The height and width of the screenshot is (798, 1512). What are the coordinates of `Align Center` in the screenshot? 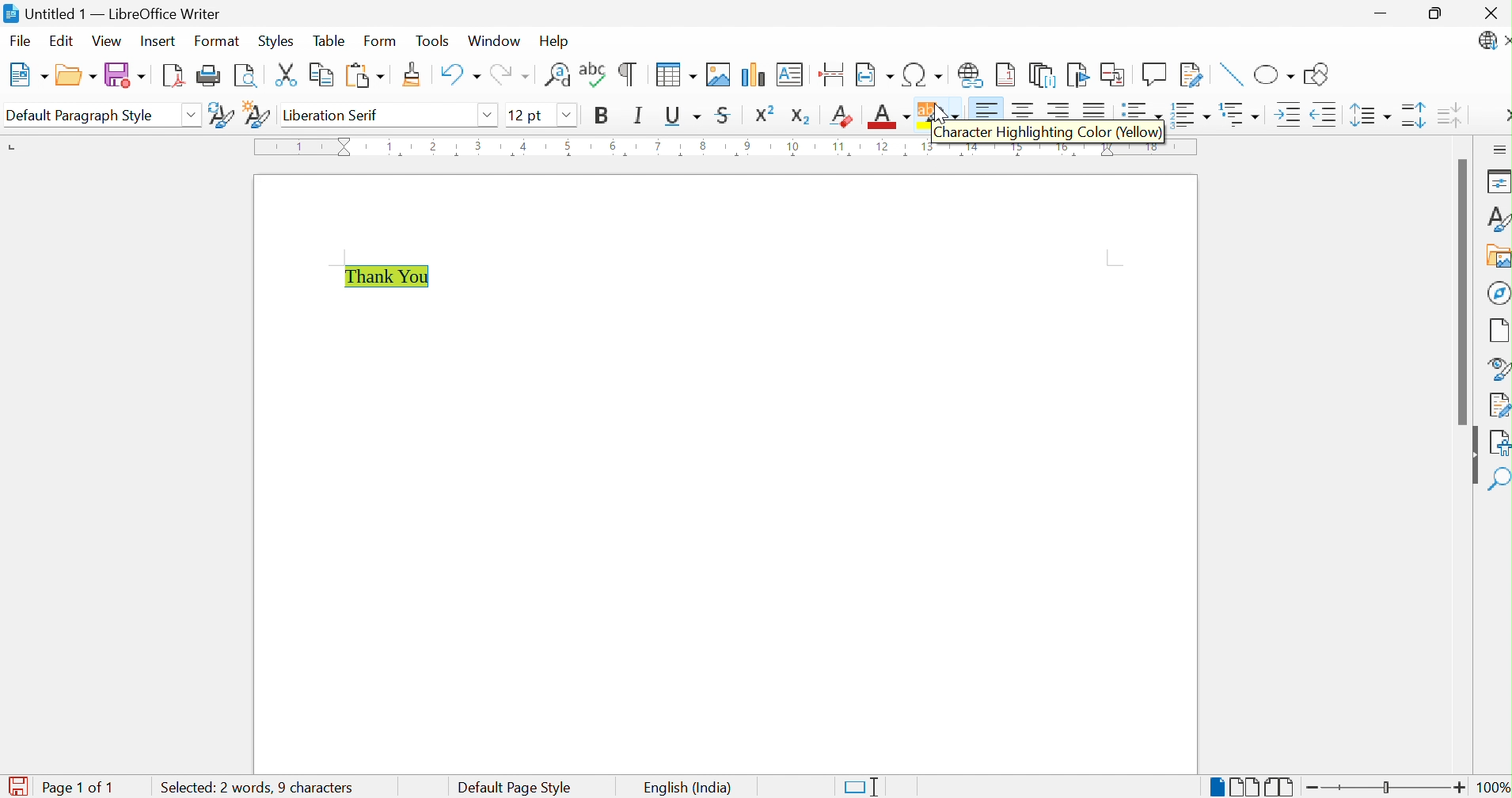 It's located at (1024, 109).